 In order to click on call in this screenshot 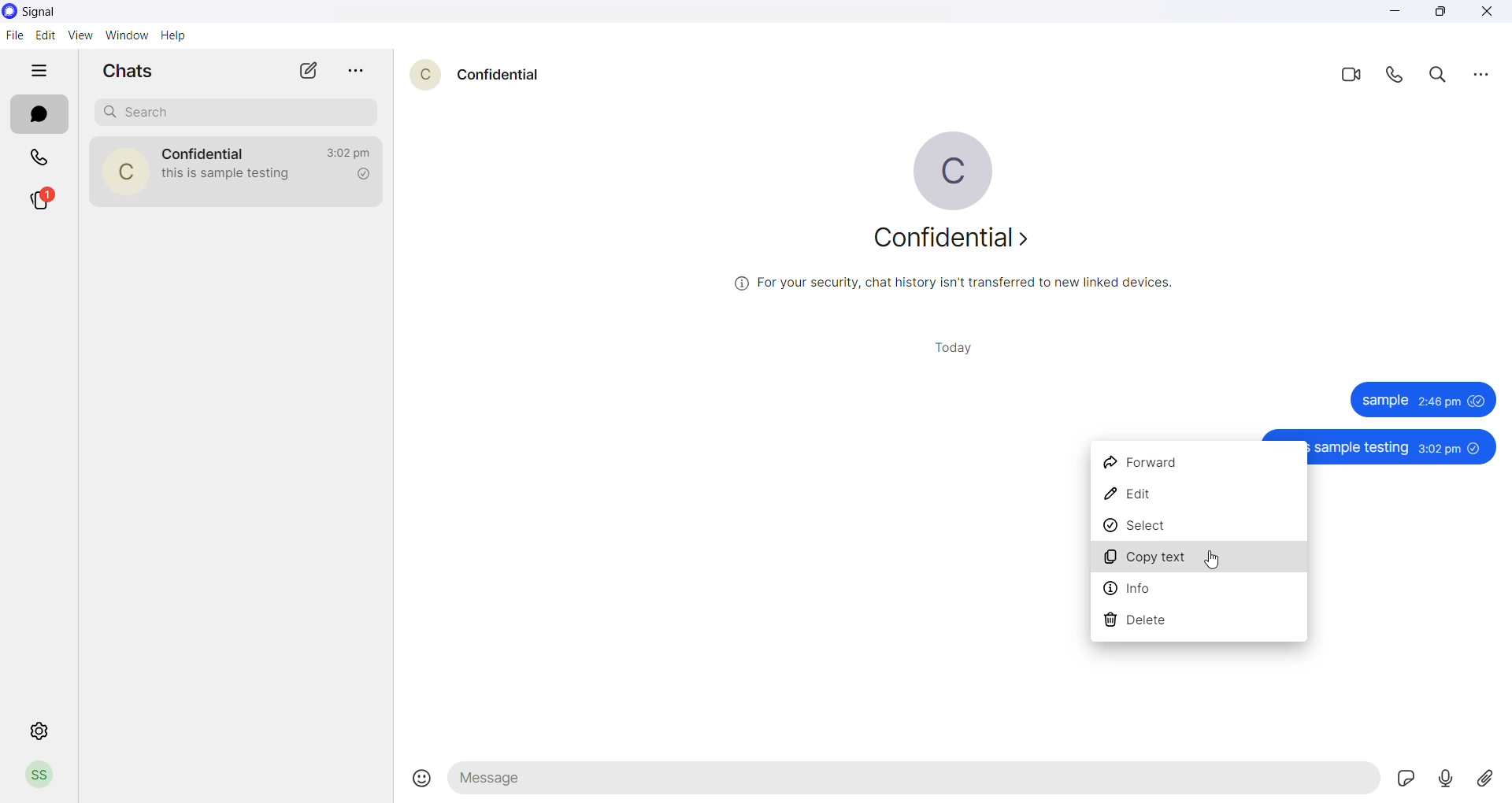, I will do `click(1397, 77)`.